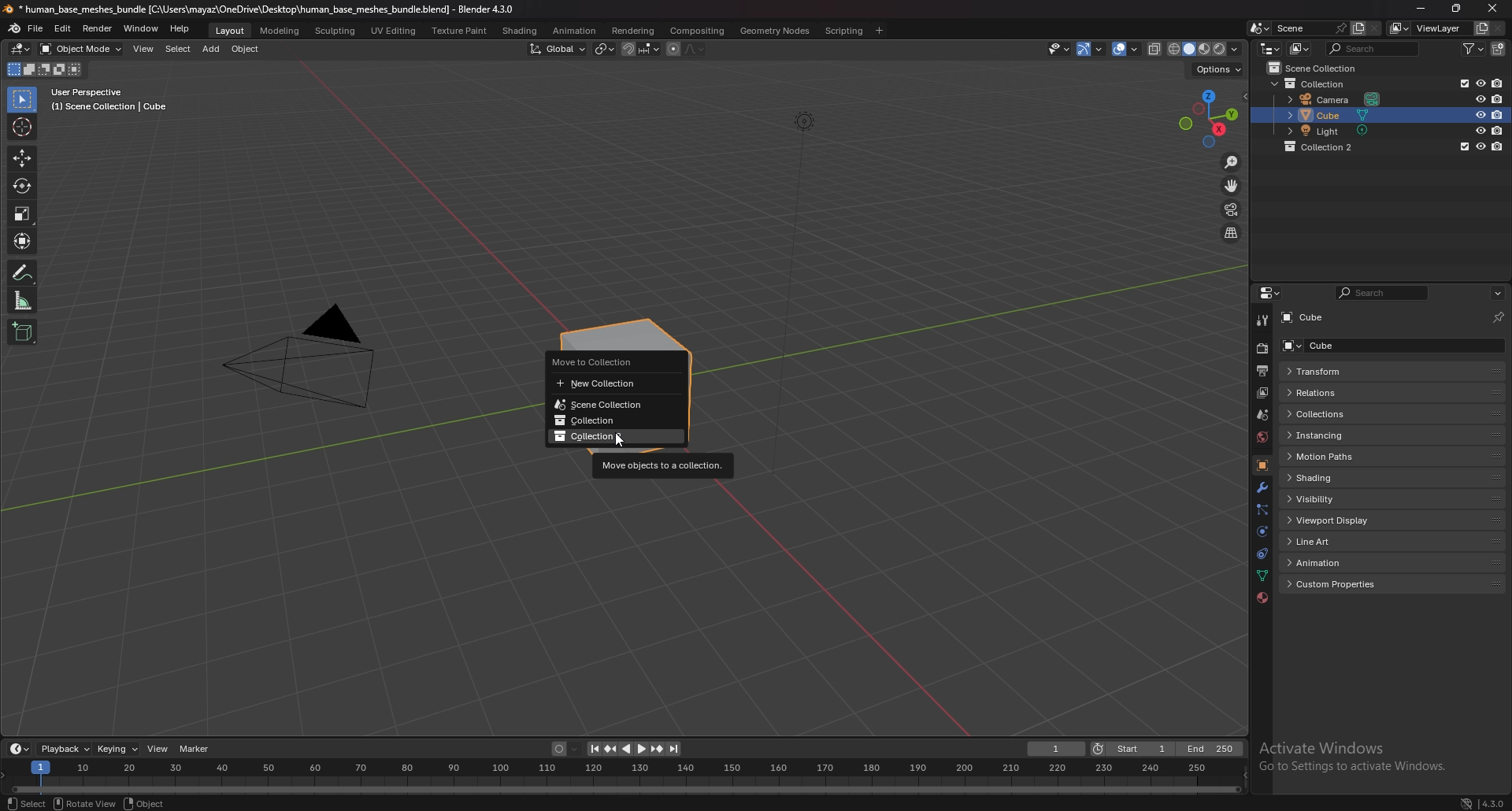  Describe the element at coordinates (23, 331) in the screenshot. I see `add cube` at that location.